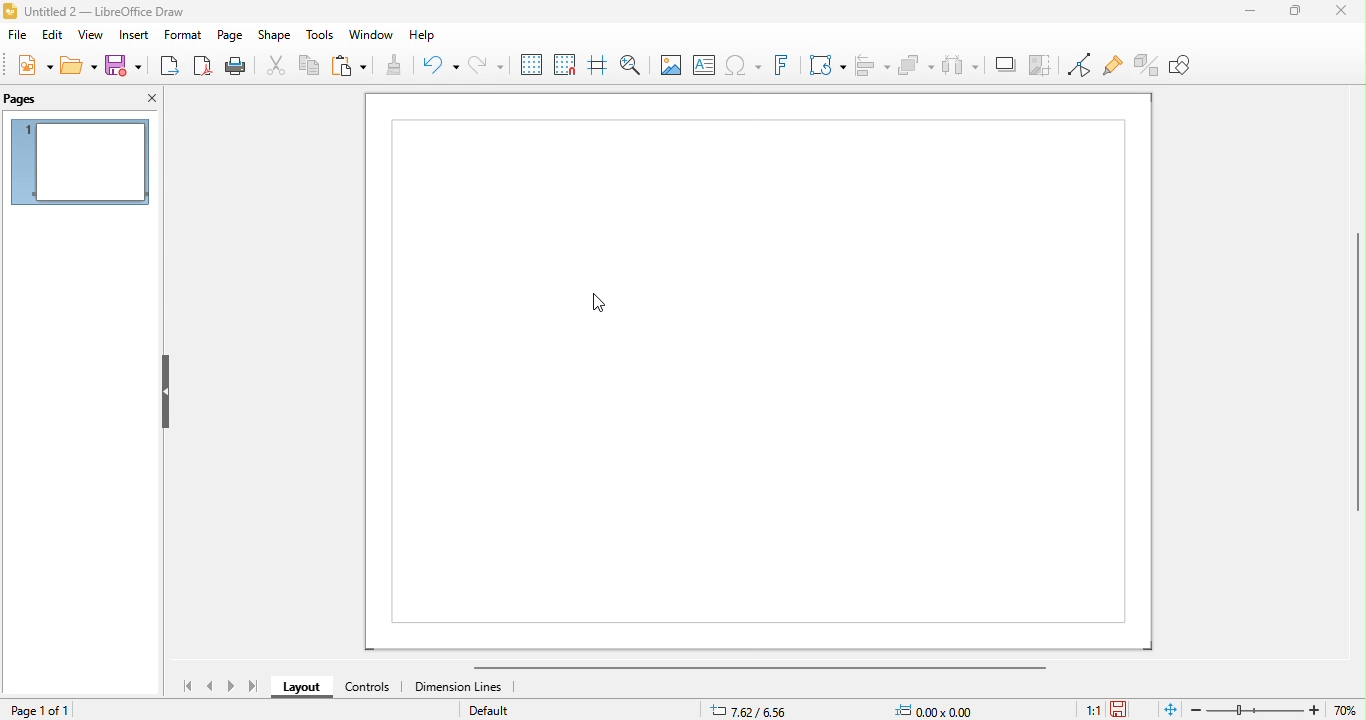 This screenshot has width=1366, height=720. Describe the element at coordinates (231, 35) in the screenshot. I see `page` at that location.